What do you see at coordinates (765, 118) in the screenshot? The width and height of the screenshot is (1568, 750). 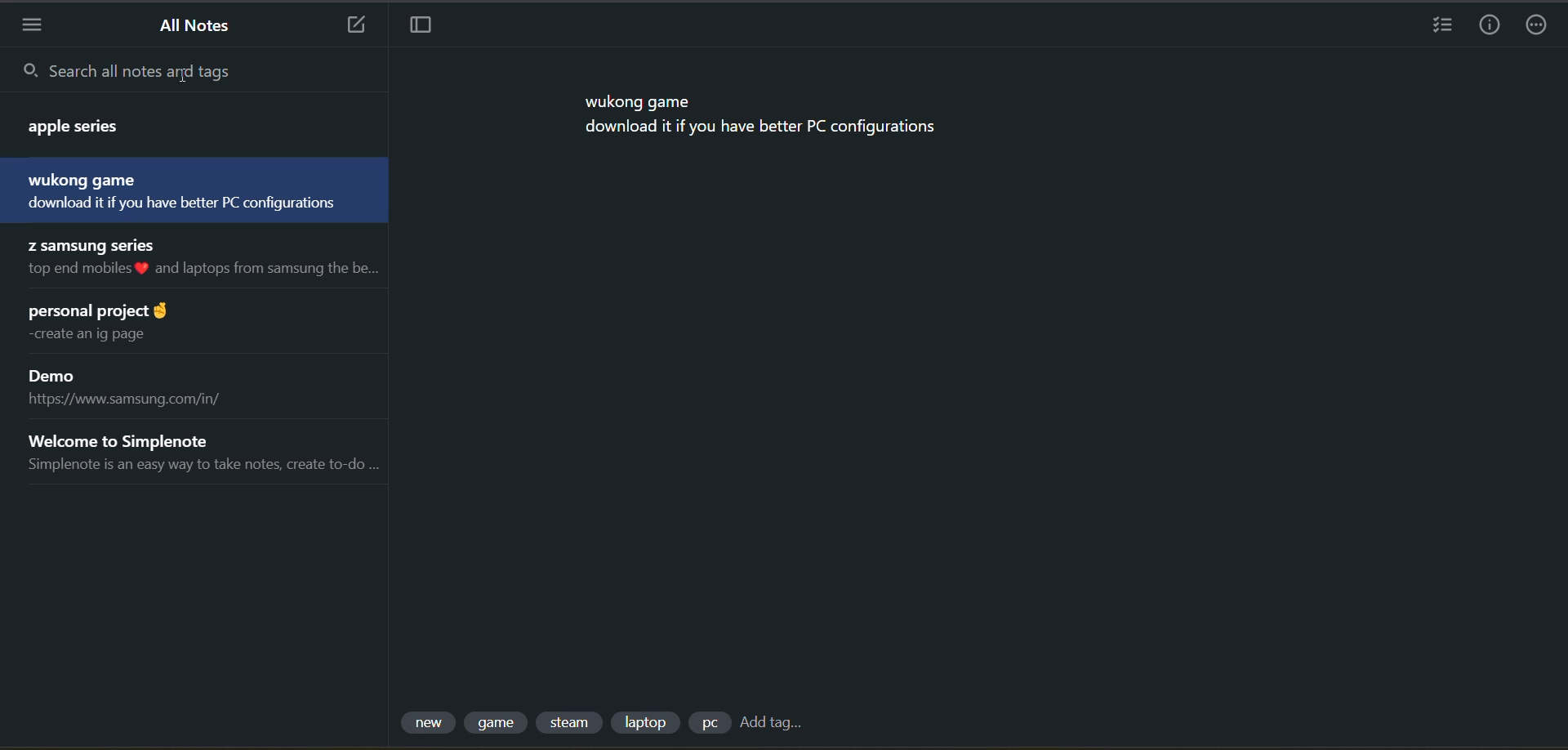 I see `data from current note` at bounding box center [765, 118].